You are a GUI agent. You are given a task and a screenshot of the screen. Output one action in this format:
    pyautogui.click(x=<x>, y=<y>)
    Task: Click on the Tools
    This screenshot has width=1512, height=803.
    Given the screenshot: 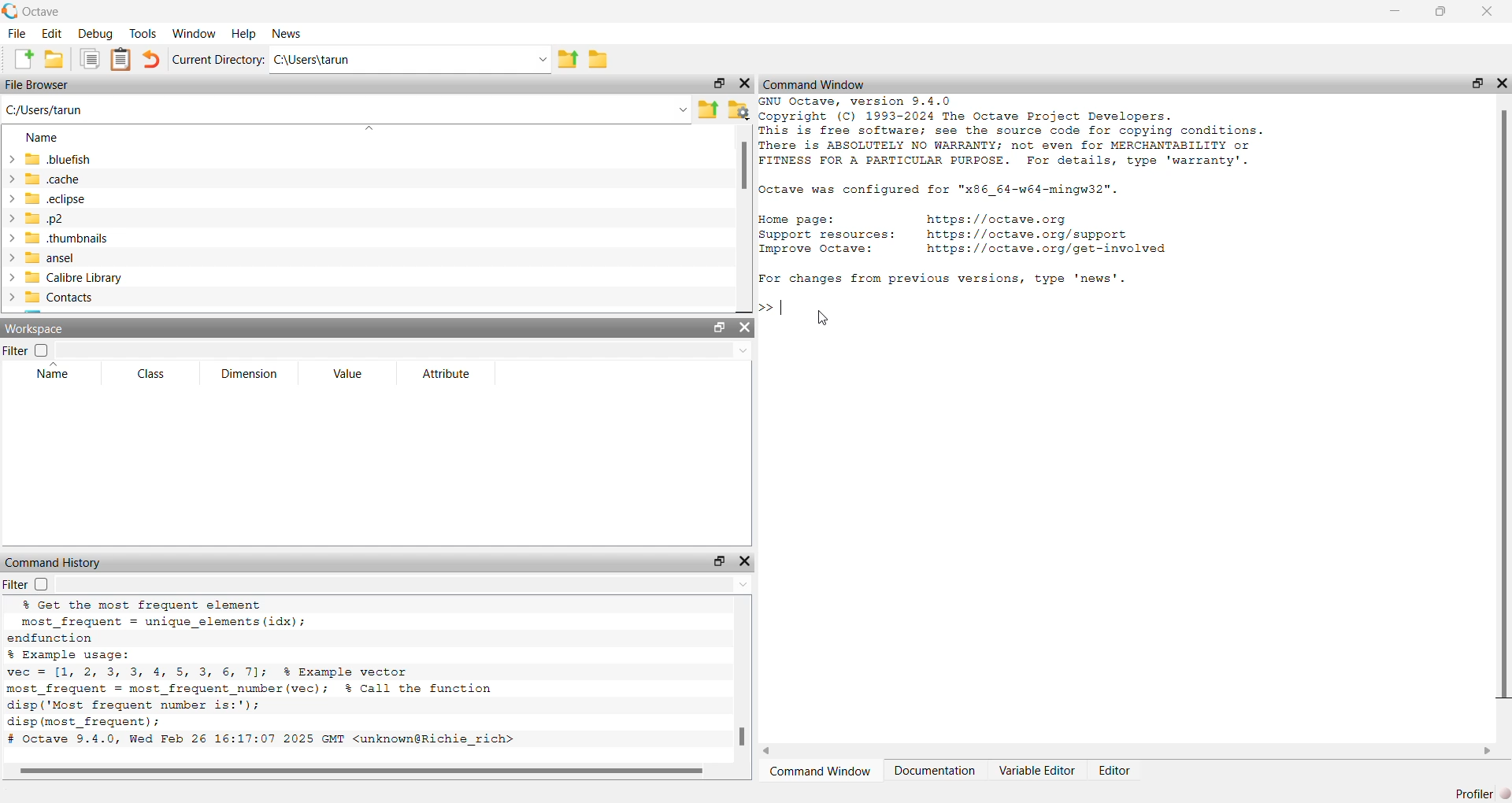 What is the action you would take?
    pyautogui.click(x=143, y=32)
    